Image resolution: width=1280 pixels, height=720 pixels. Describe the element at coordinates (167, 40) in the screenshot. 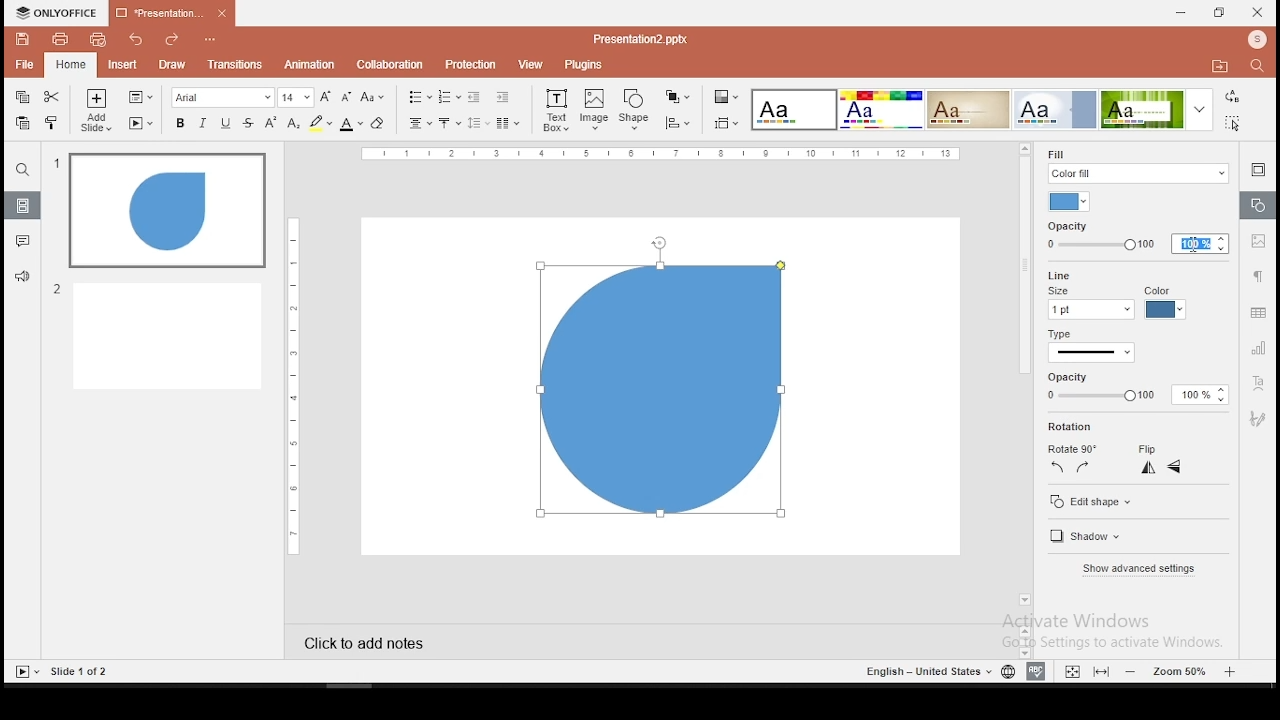

I see `redo` at that location.